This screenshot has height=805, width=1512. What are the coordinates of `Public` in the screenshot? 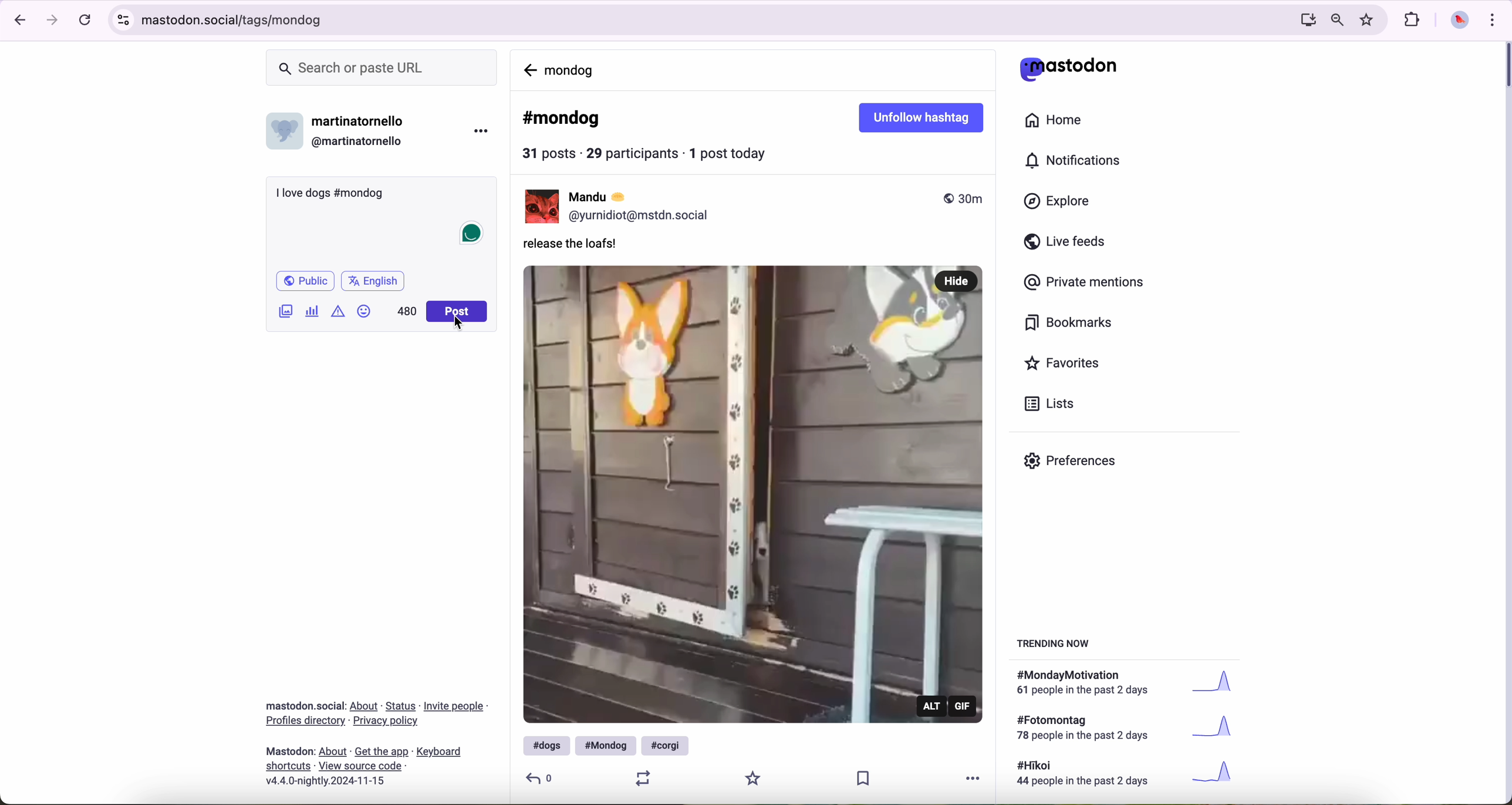 It's located at (307, 282).